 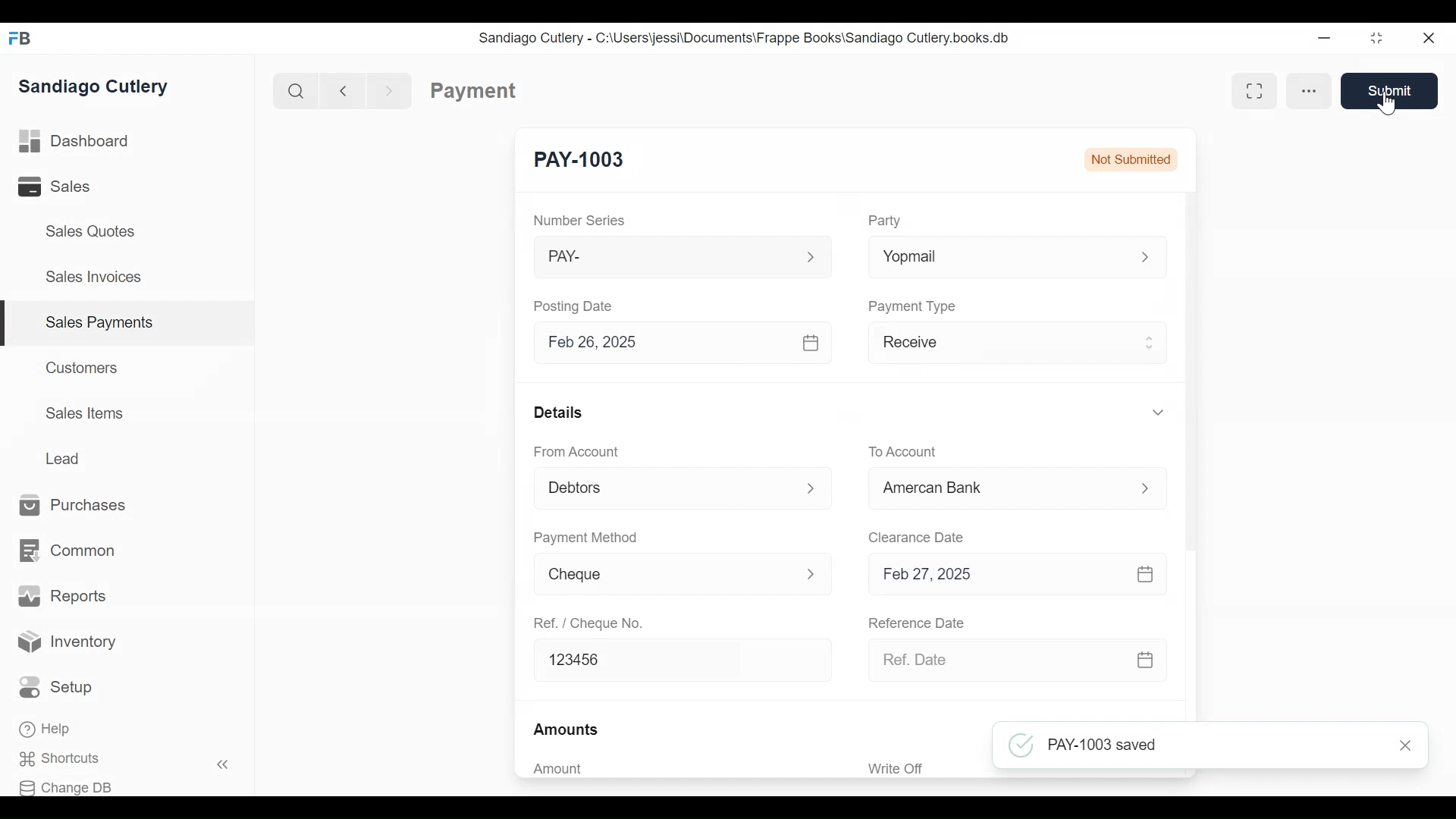 What do you see at coordinates (474, 91) in the screenshot?
I see `Payment` at bounding box center [474, 91].